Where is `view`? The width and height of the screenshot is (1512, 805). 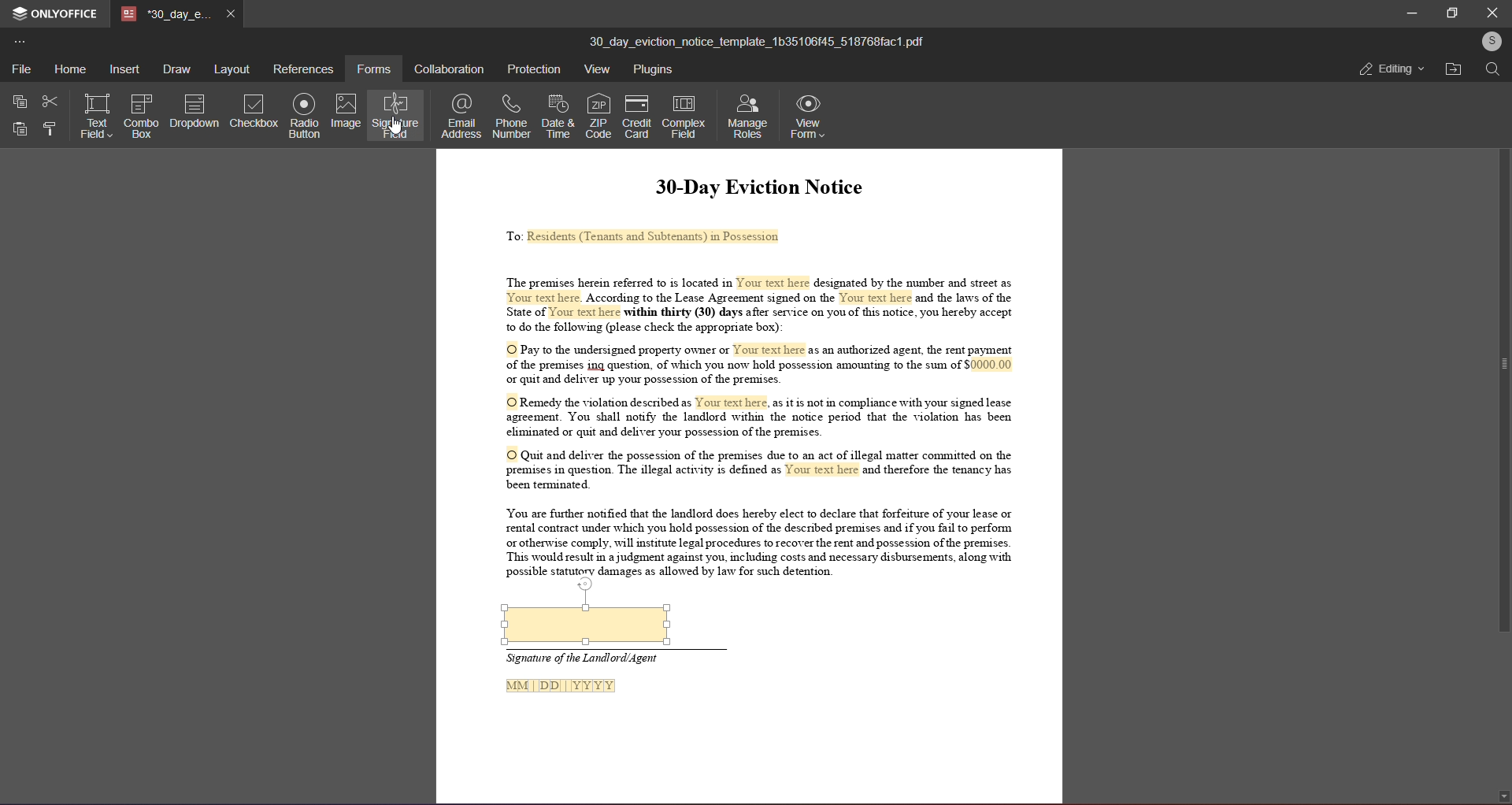 view is located at coordinates (594, 69).